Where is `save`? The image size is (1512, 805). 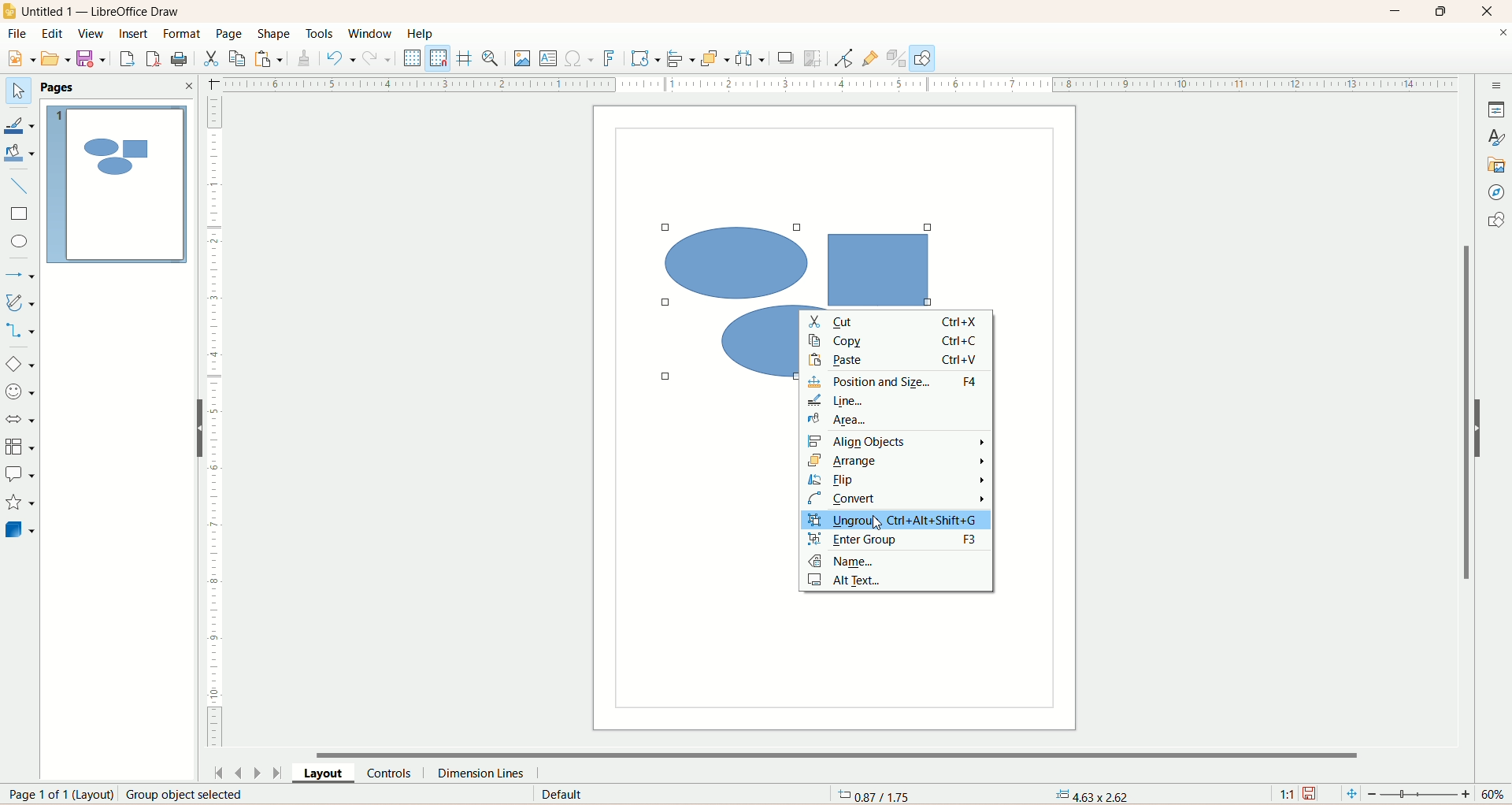 save is located at coordinates (1313, 794).